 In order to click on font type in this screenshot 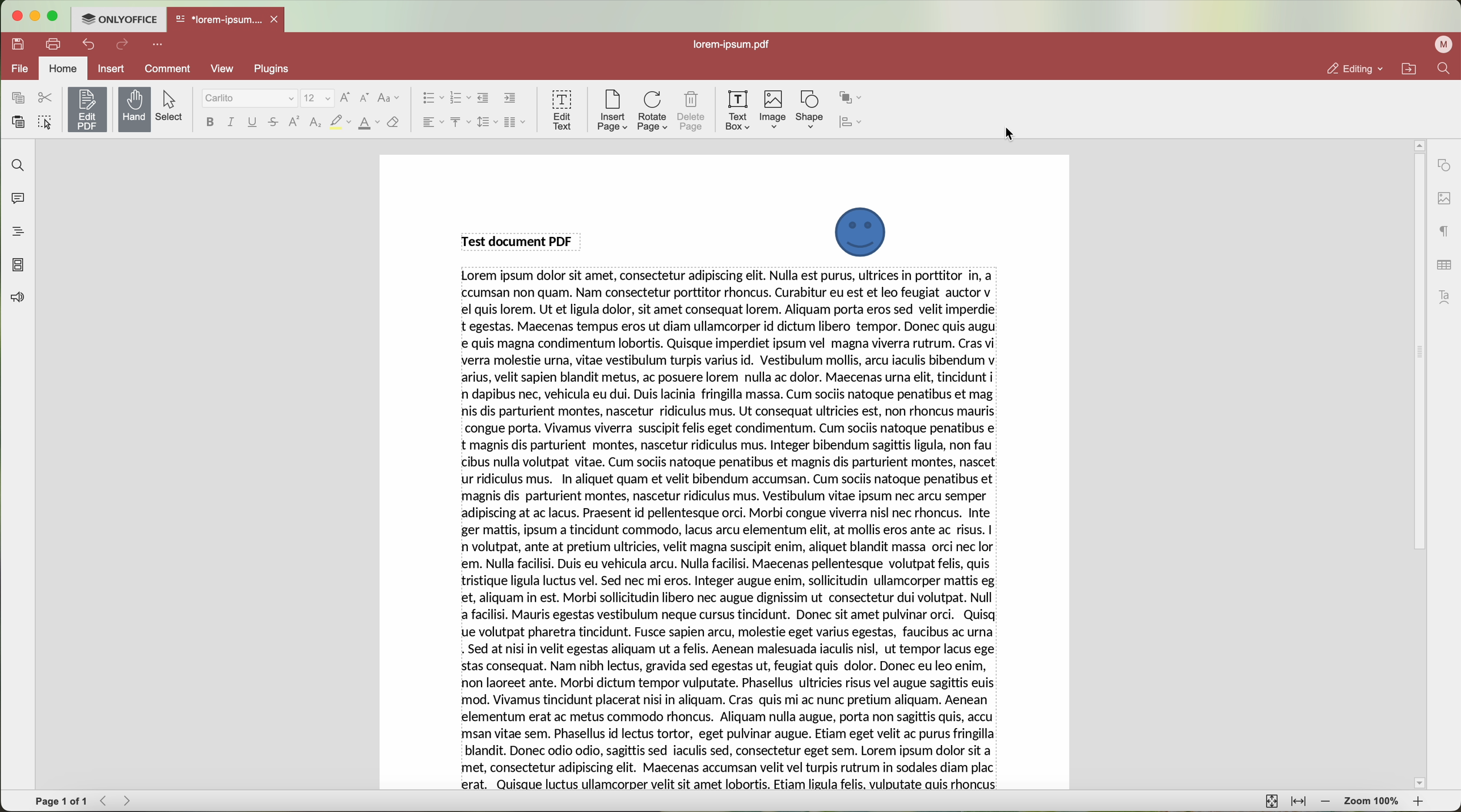, I will do `click(250, 99)`.